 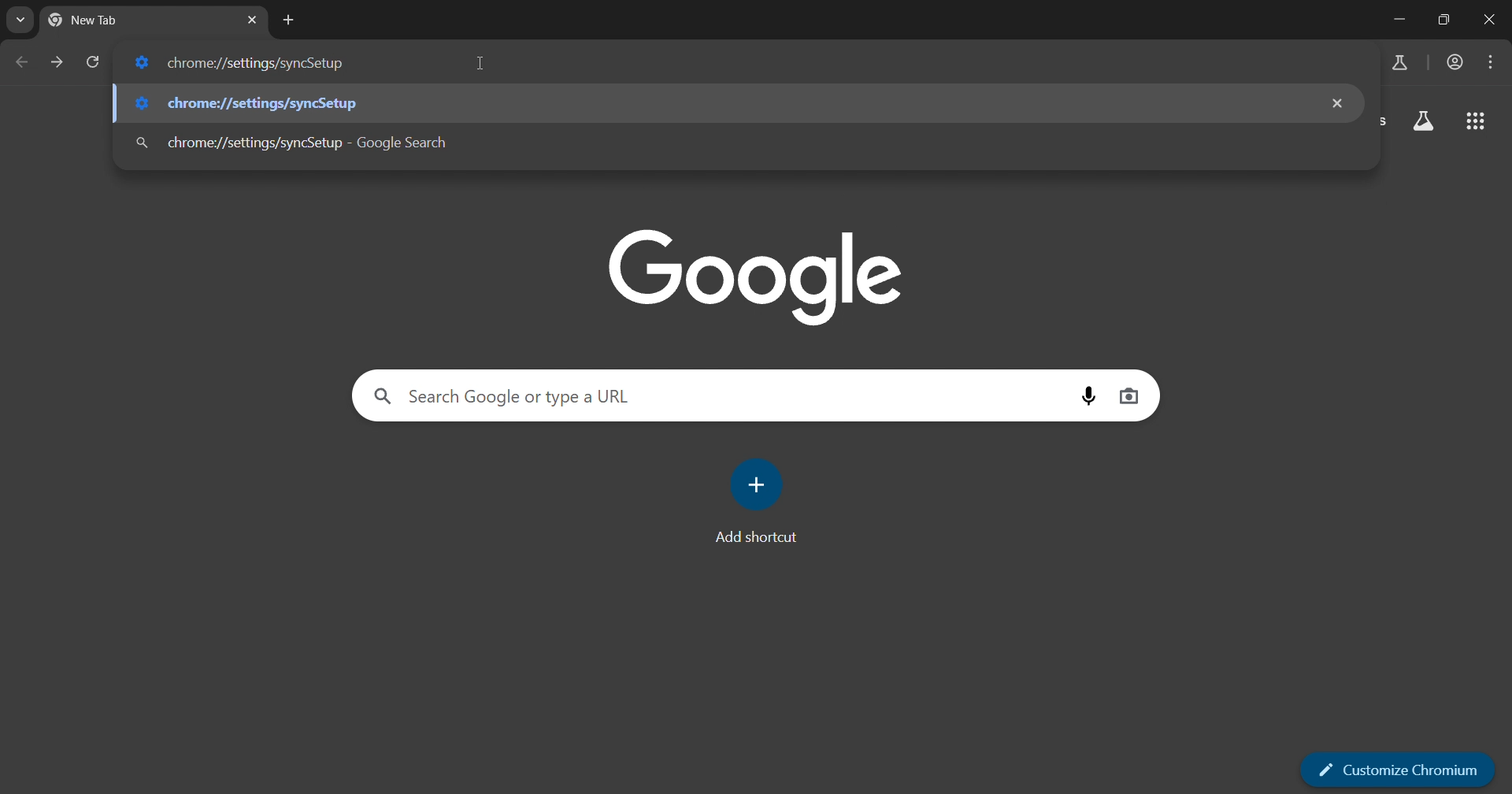 I want to click on chrome://settingd/syncSetup, so click(x=724, y=102).